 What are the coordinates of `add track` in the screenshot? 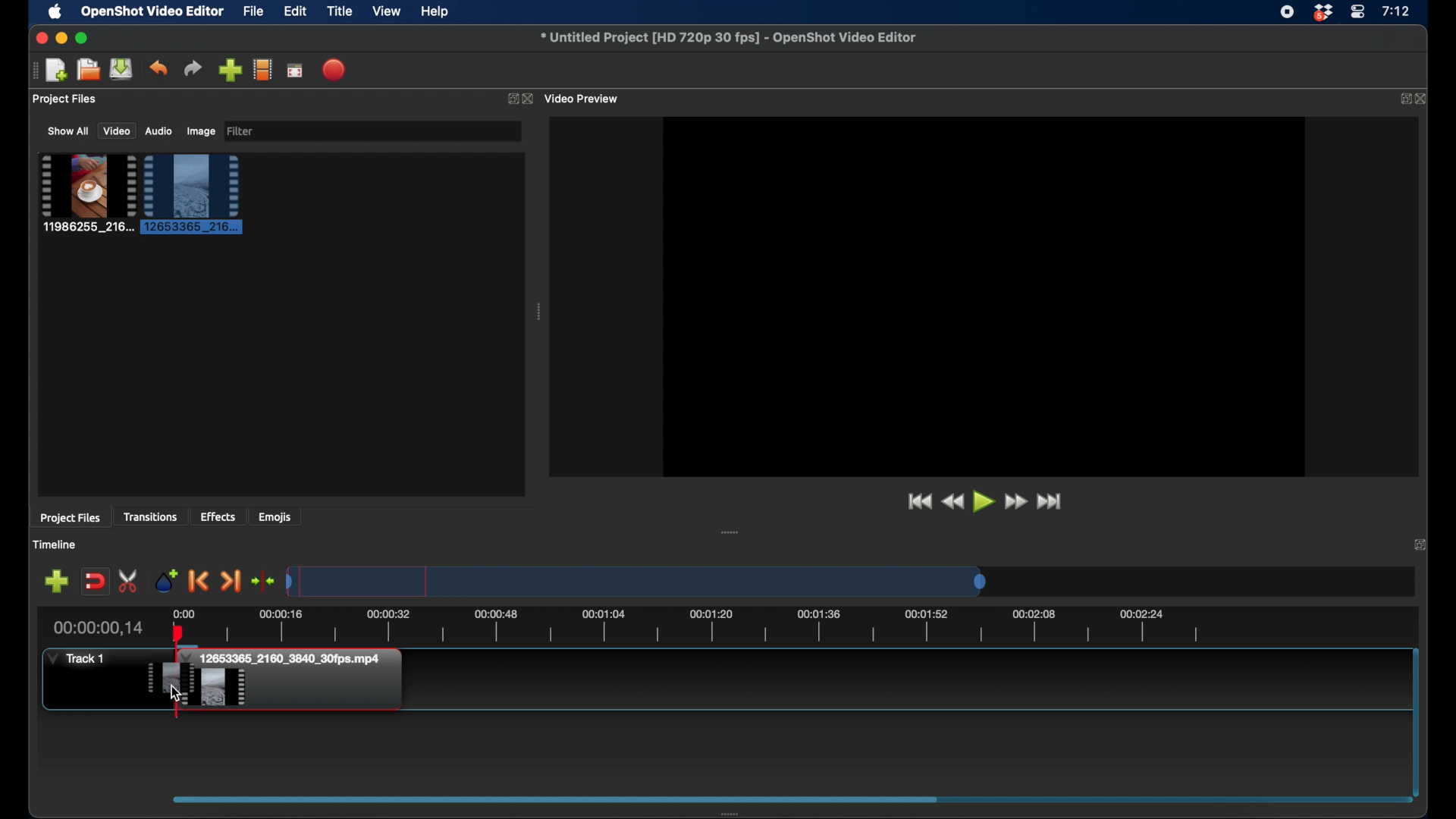 It's located at (58, 580).